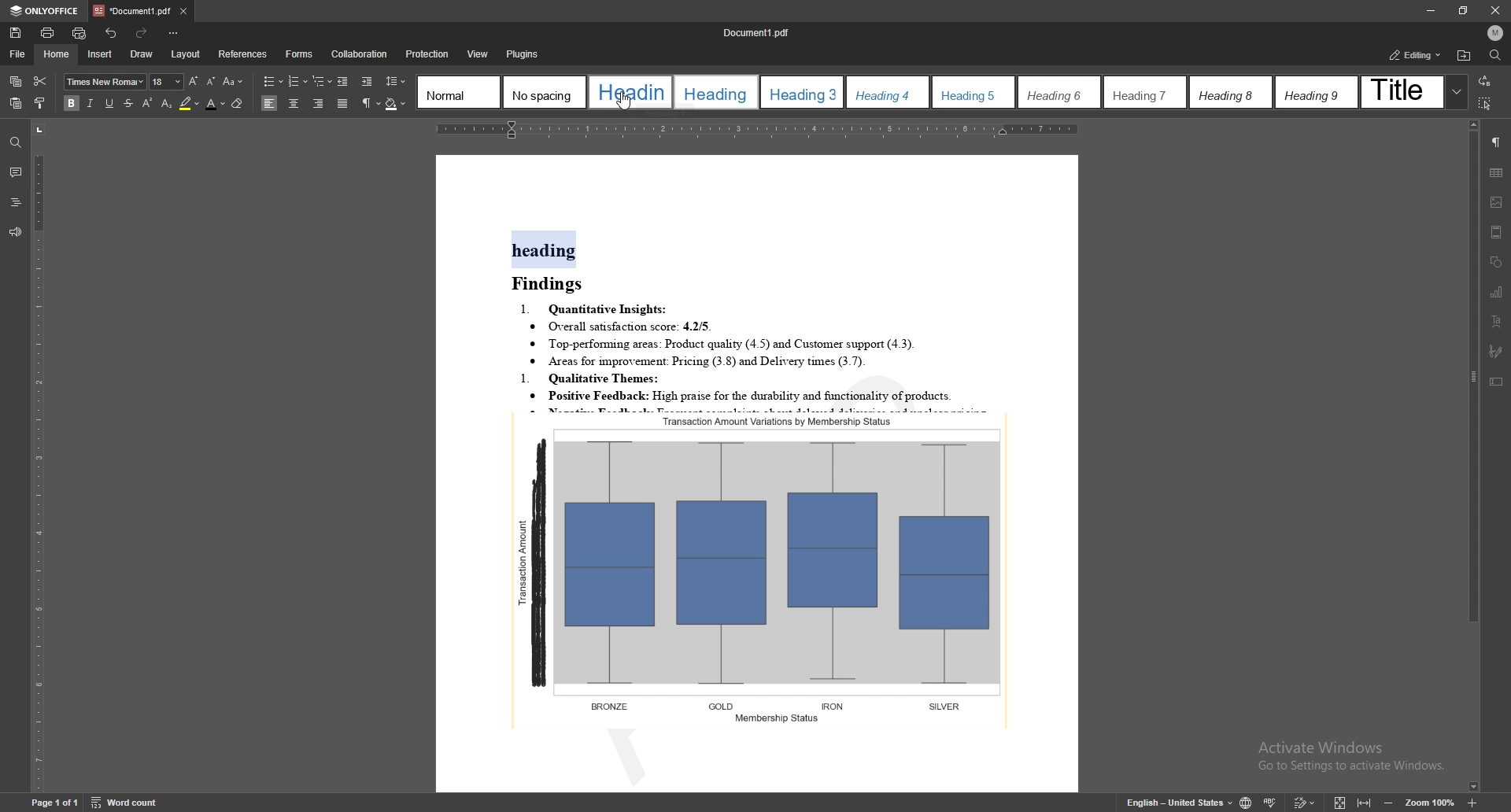 Image resolution: width=1511 pixels, height=812 pixels. Describe the element at coordinates (242, 54) in the screenshot. I see `references` at that location.